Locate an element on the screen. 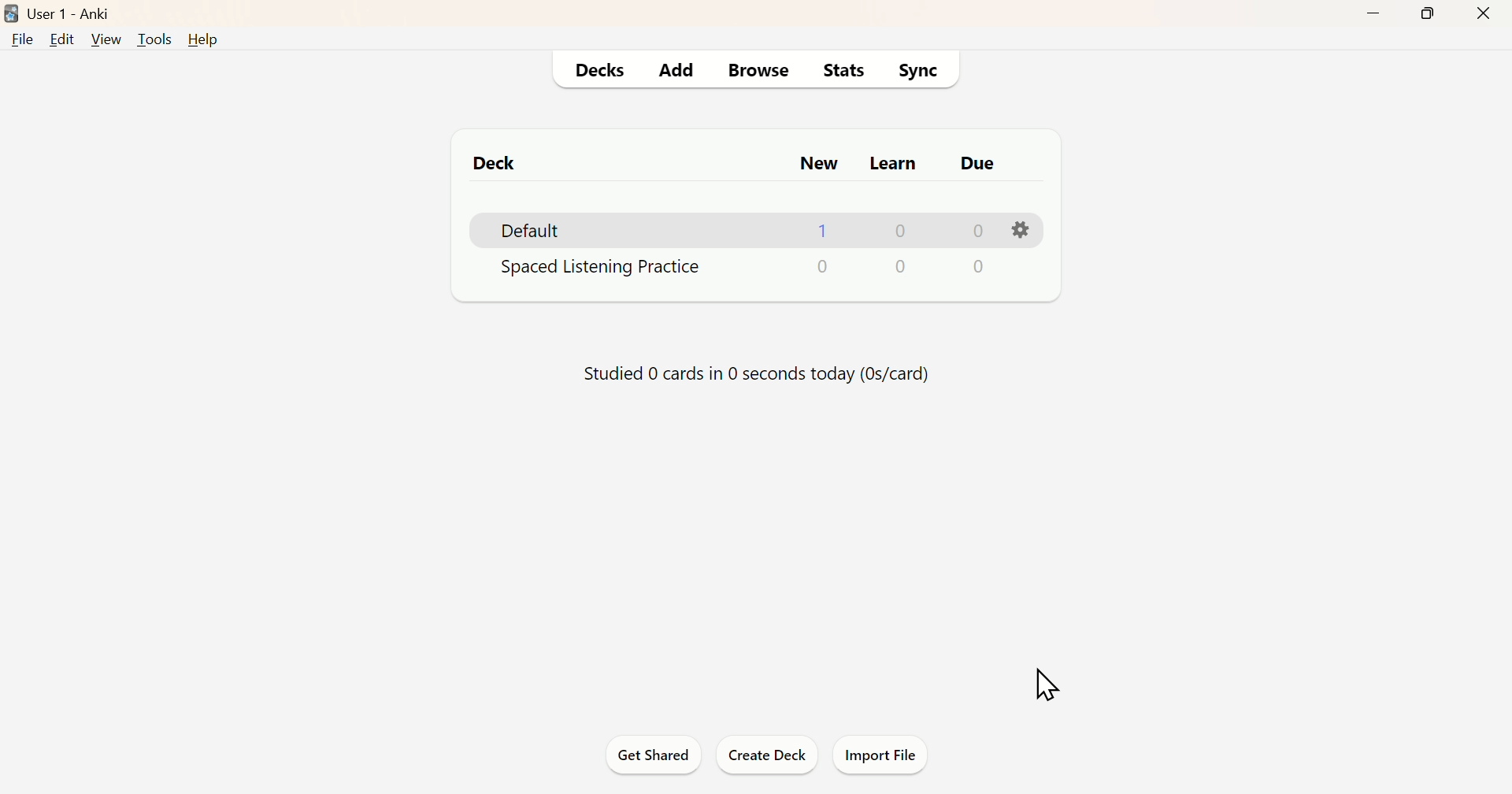 Image resolution: width=1512 pixels, height=794 pixels. Due is located at coordinates (976, 161).